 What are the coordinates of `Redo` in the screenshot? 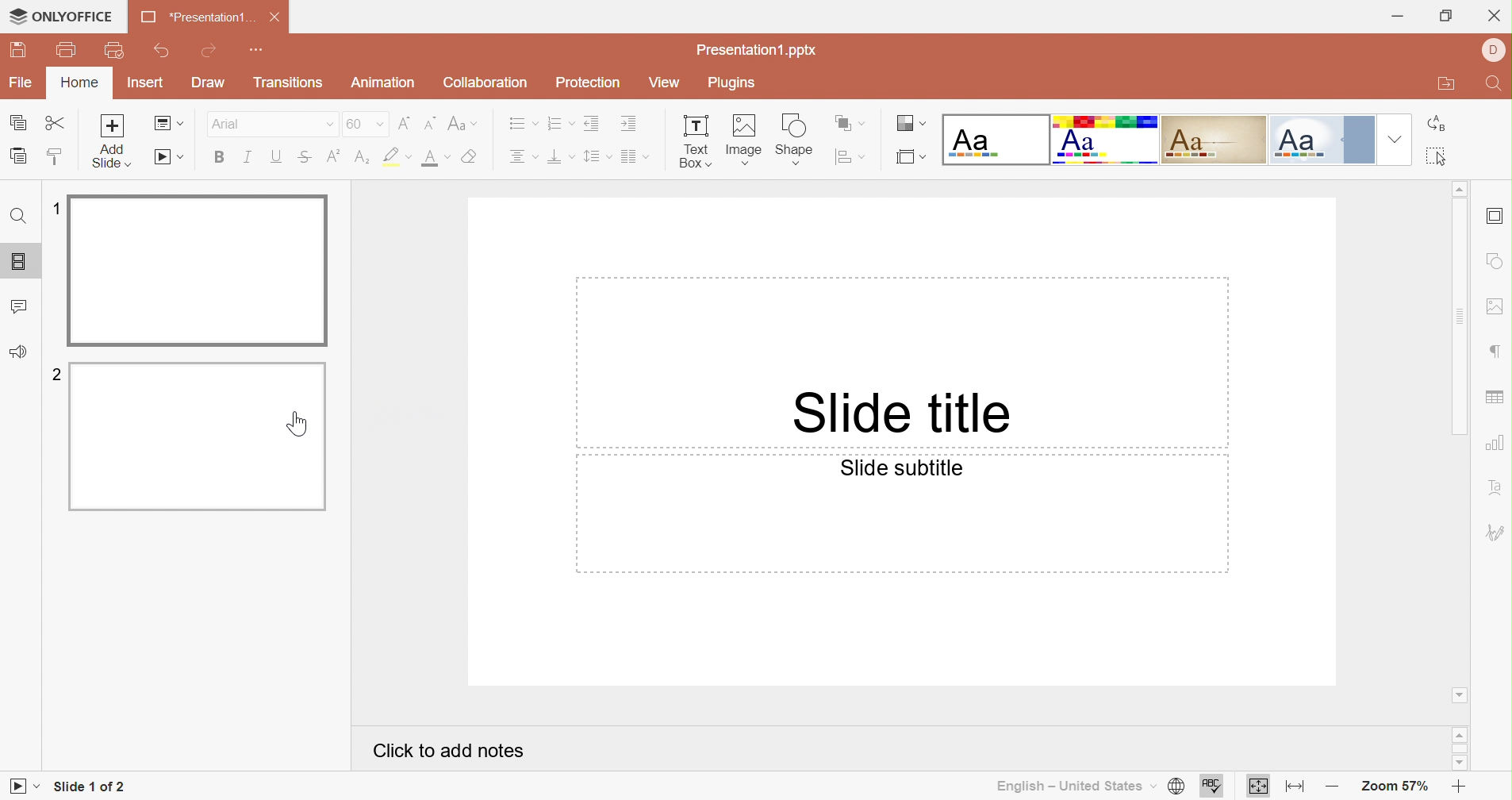 It's located at (206, 54).